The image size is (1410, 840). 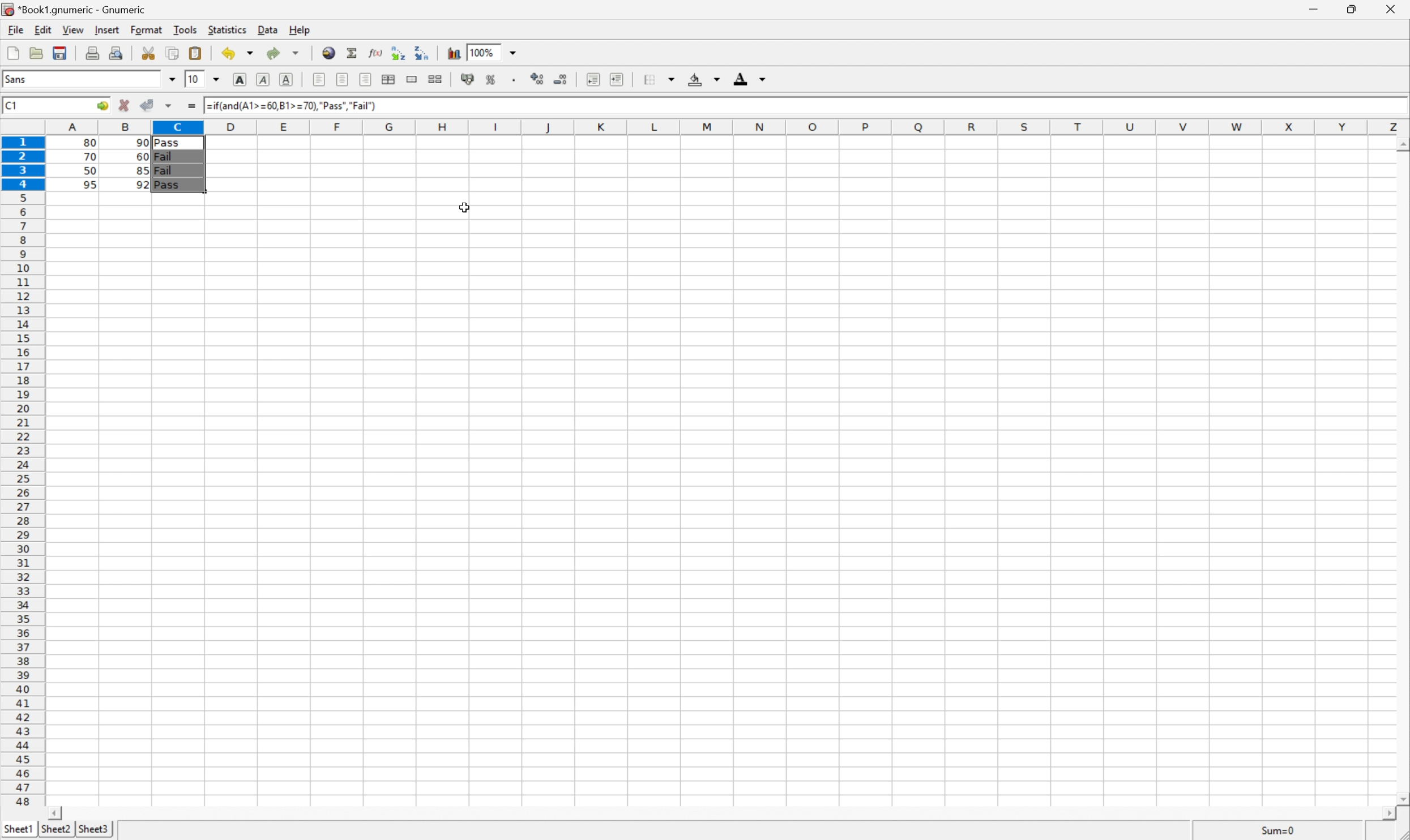 I want to click on Scroll Left, so click(x=59, y=809).